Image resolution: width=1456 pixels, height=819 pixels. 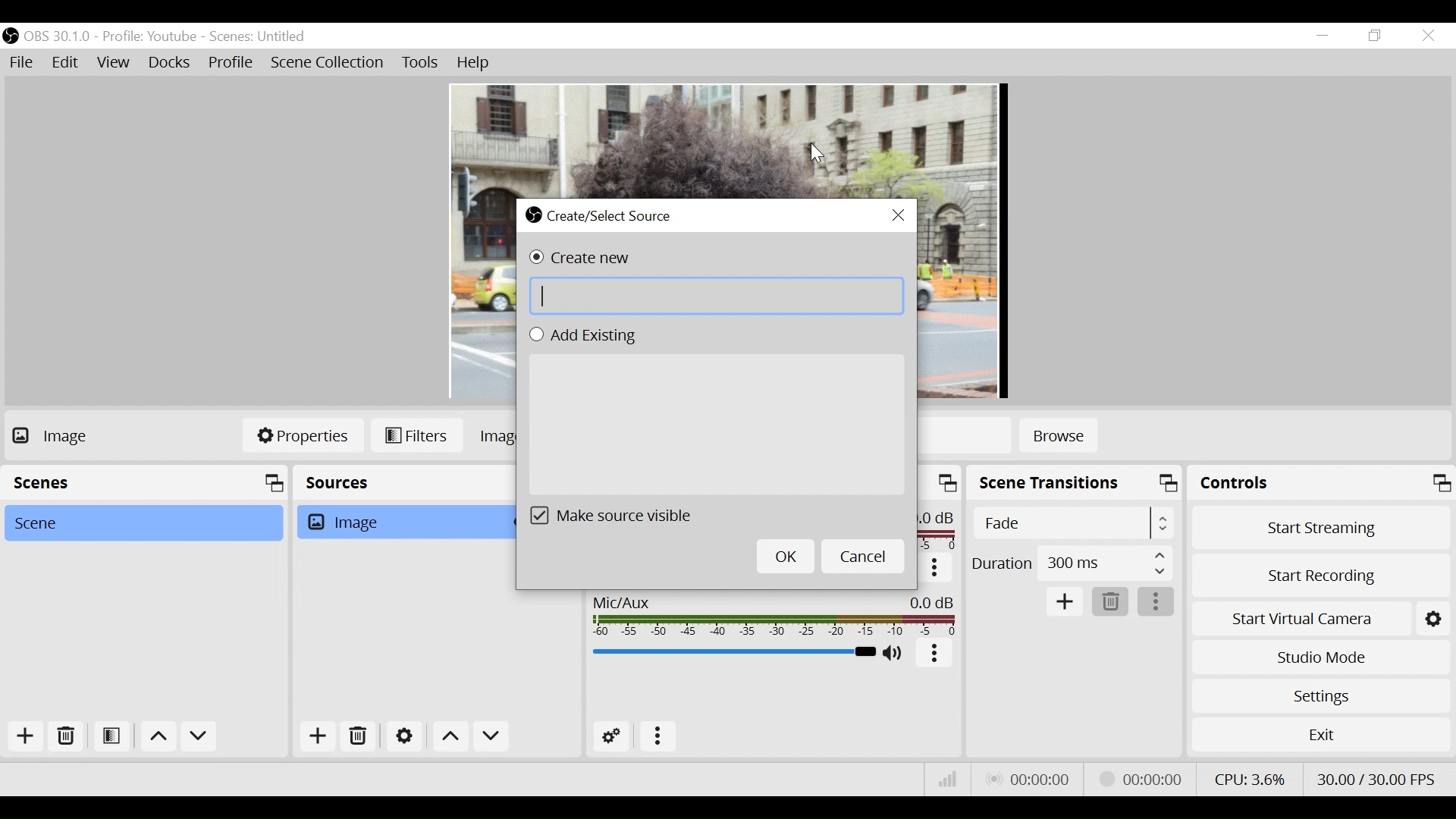 What do you see at coordinates (1056, 437) in the screenshot?
I see `Browse ` at bounding box center [1056, 437].